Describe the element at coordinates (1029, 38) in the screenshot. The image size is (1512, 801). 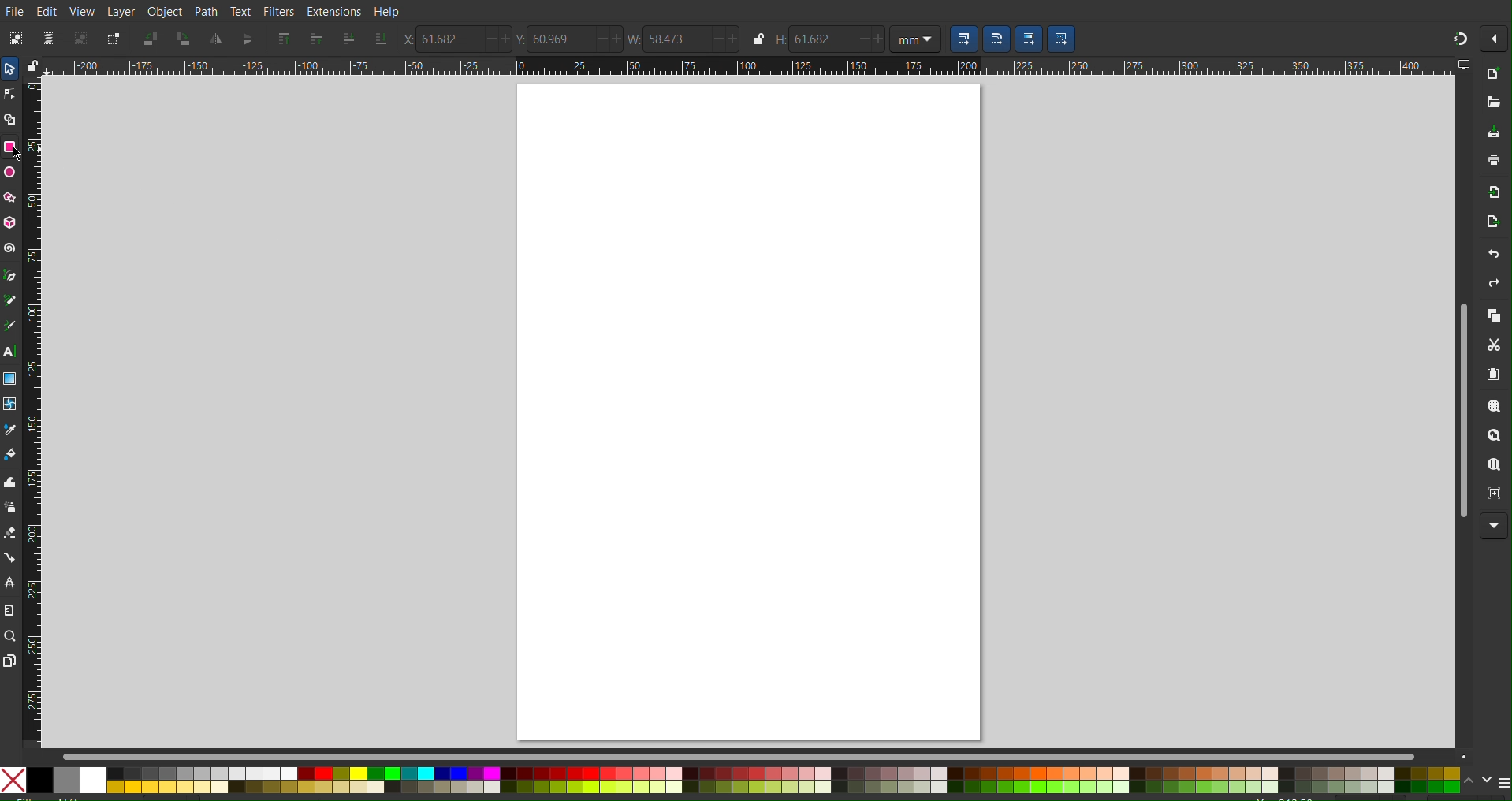
I see `Scaling Option 3` at that location.